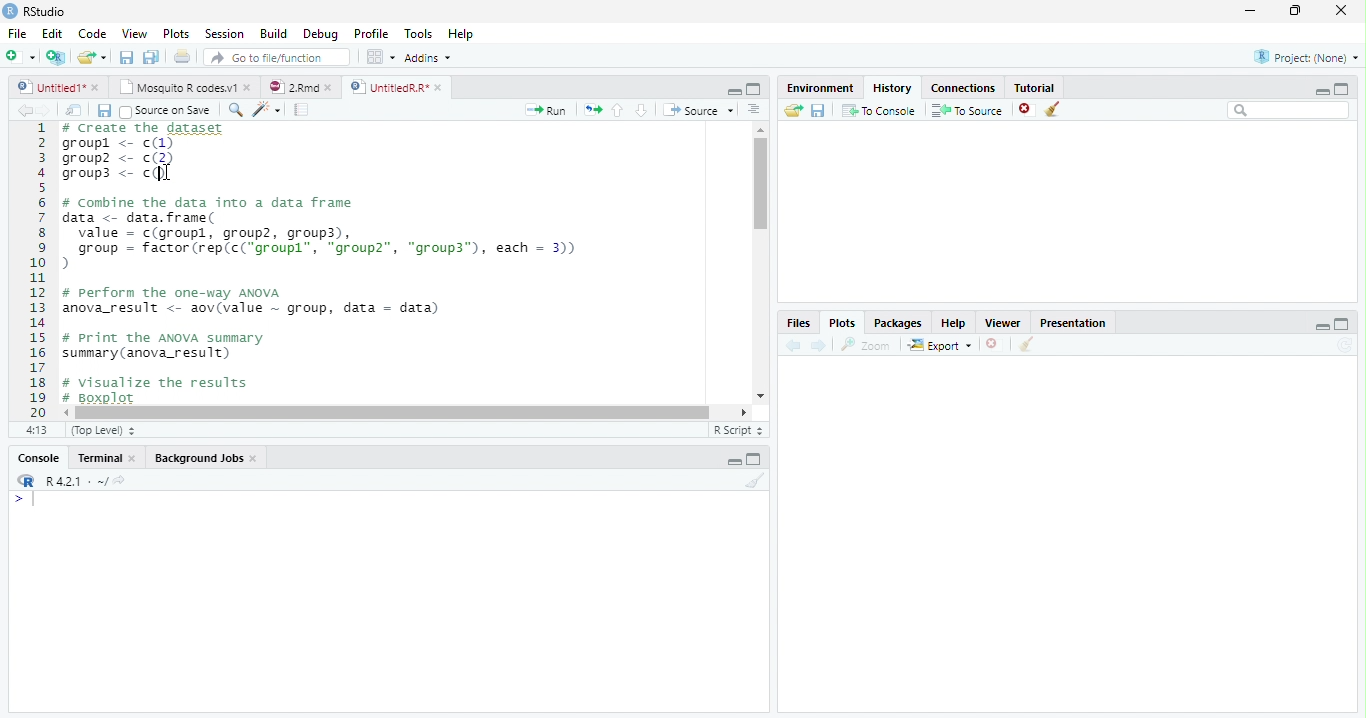 The width and height of the screenshot is (1366, 718). Describe the element at coordinates (56, 57) in the screenshot. I see `Create a Project` at that location.